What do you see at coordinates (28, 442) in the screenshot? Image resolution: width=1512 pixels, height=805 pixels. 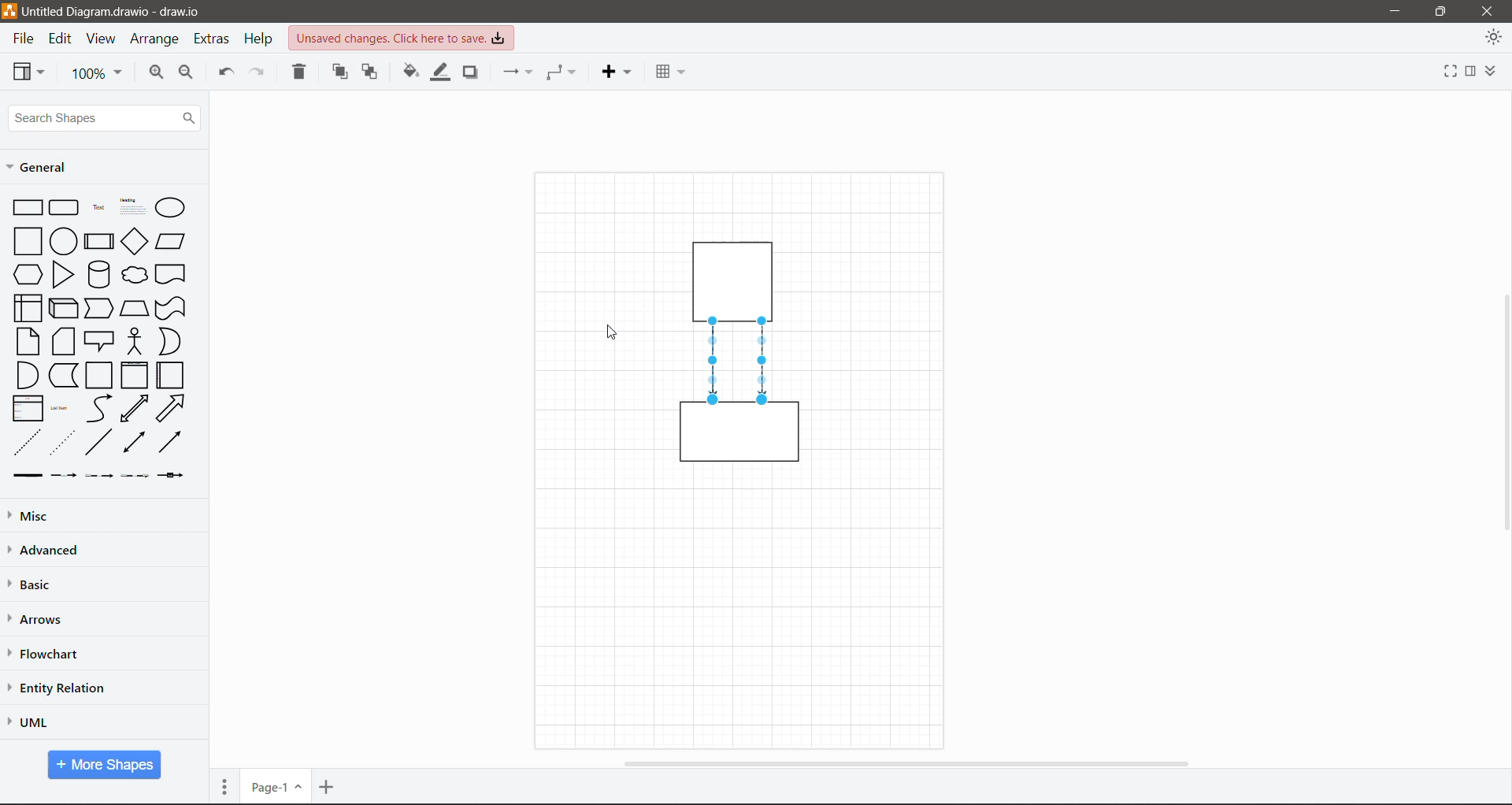 I see `dashed line` at bounding box center [28, 442].